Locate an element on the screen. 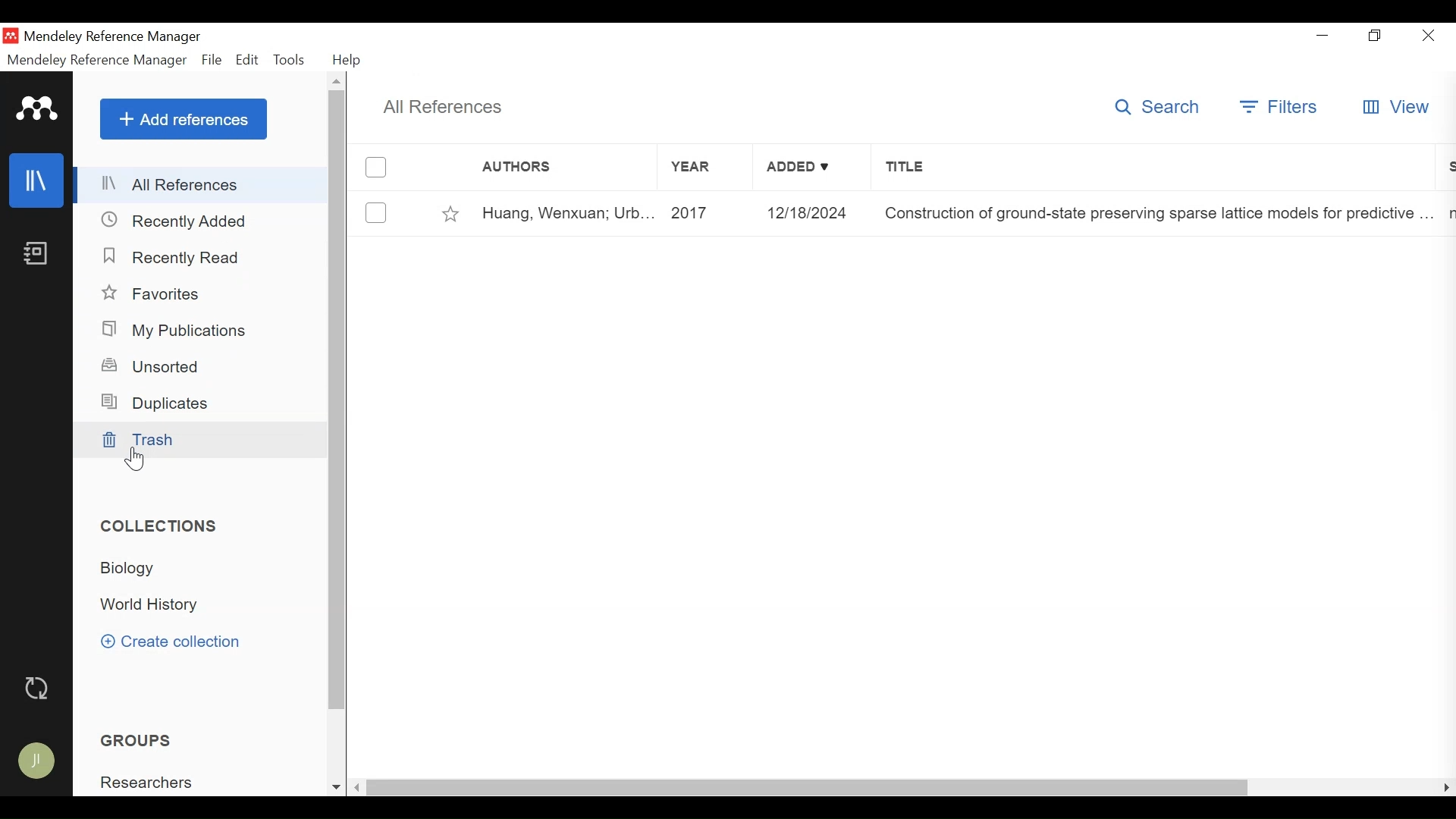 The width and height of the screenshot is (1456, 819). Add Reference is located at coordinates (183, 120).